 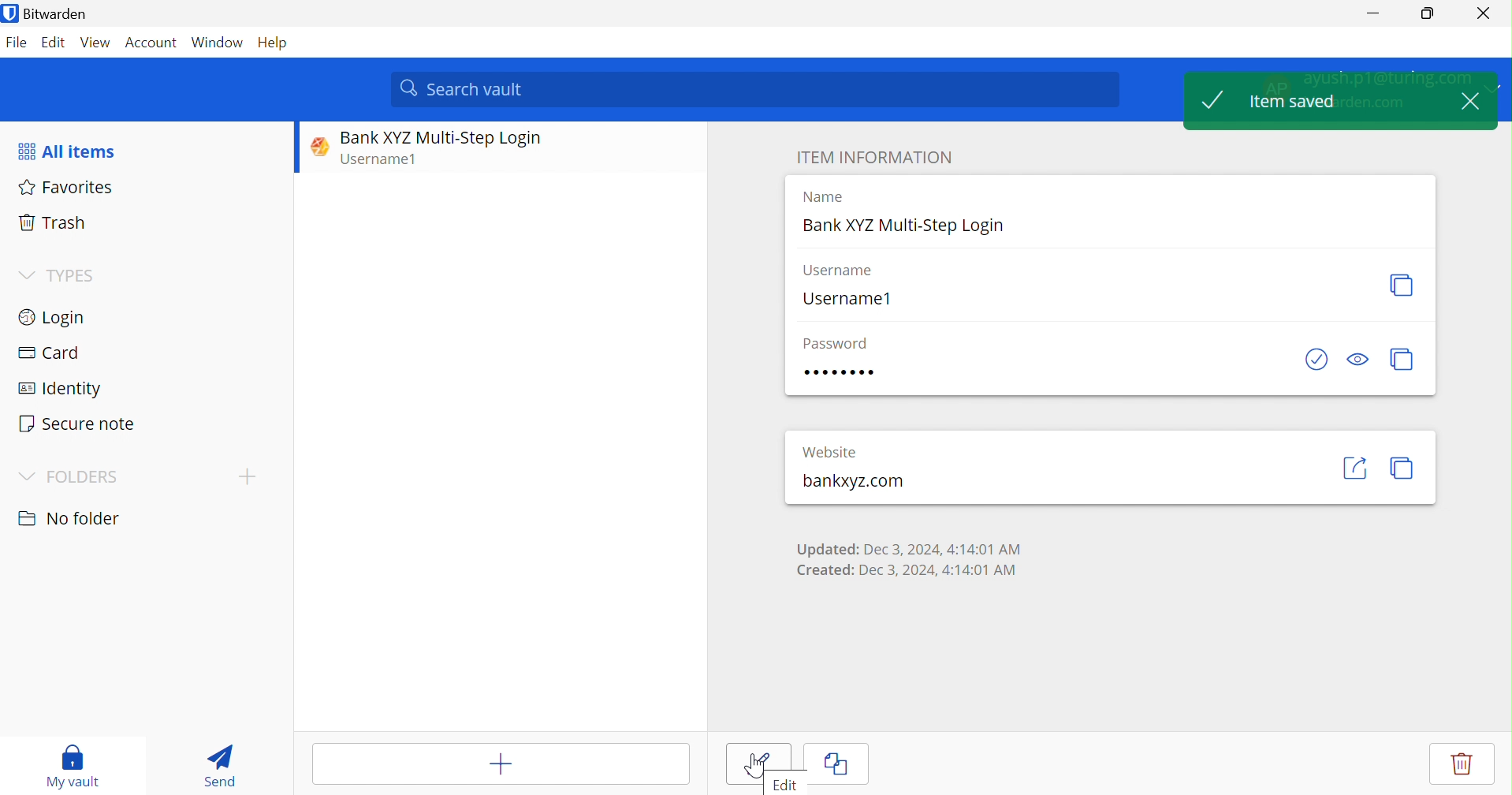 I want to click on Password, so click(x=832, y=344).